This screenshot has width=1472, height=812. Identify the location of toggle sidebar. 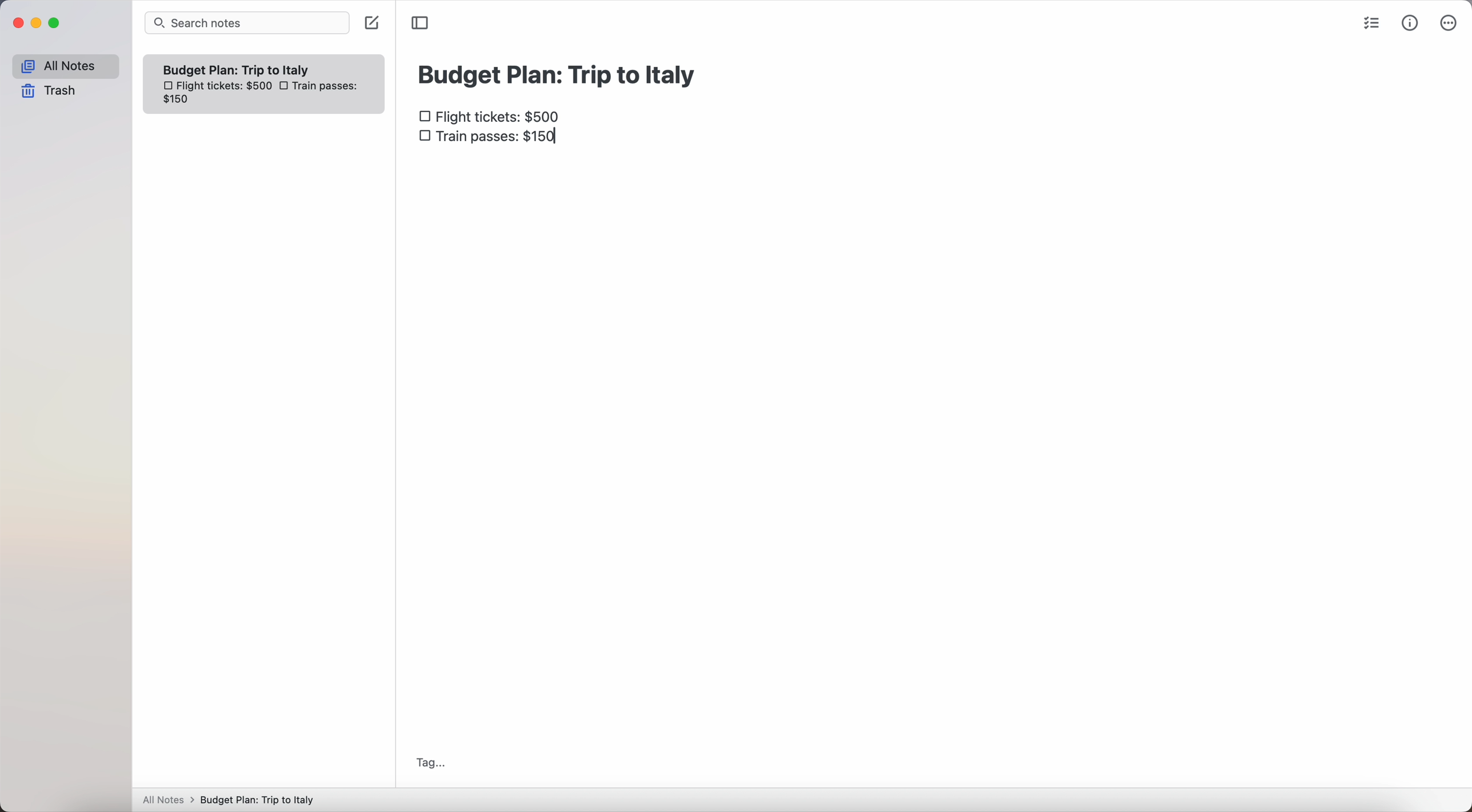
(421, 22).